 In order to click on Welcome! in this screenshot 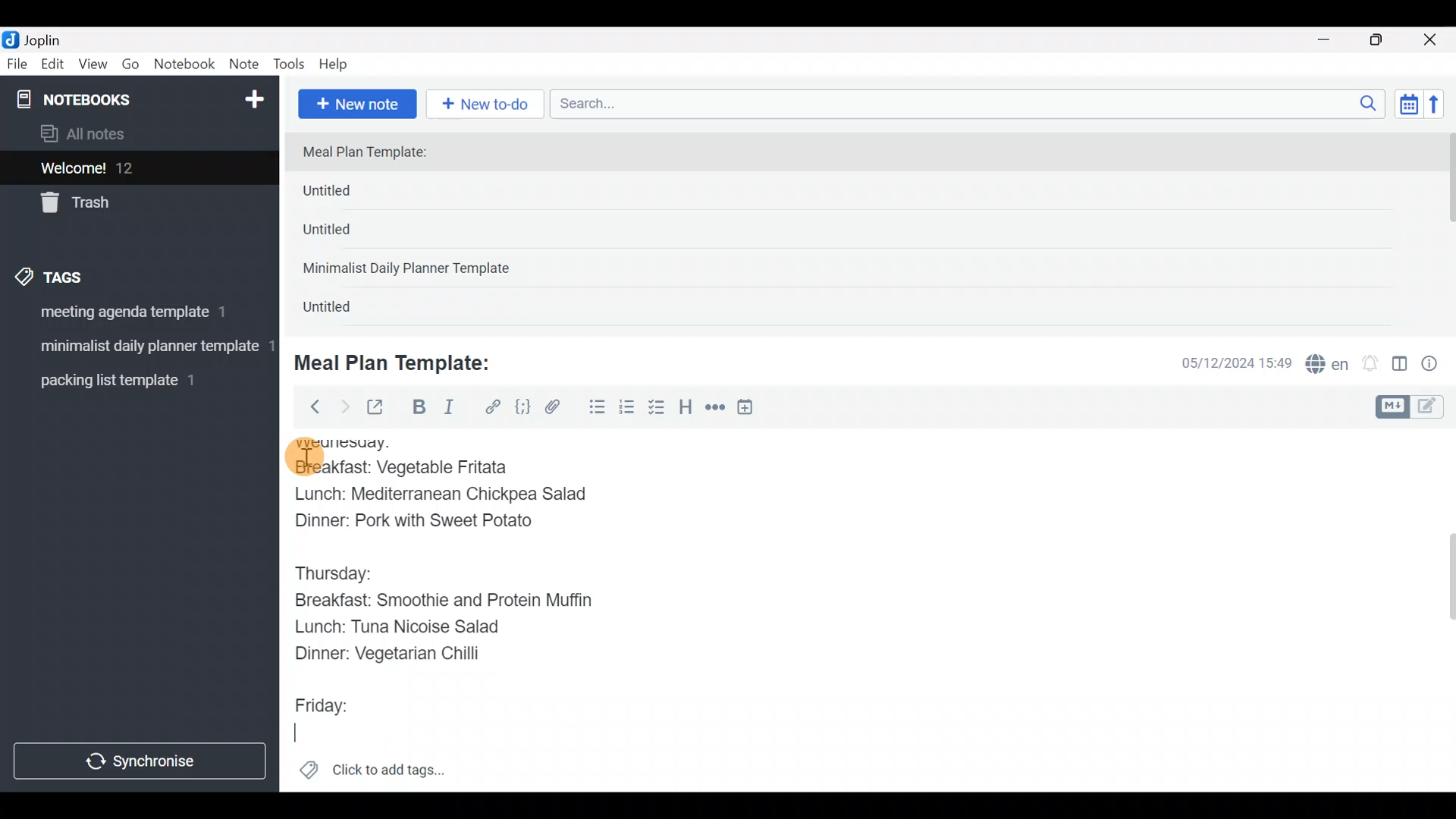, I will do `click(137, 169)`.